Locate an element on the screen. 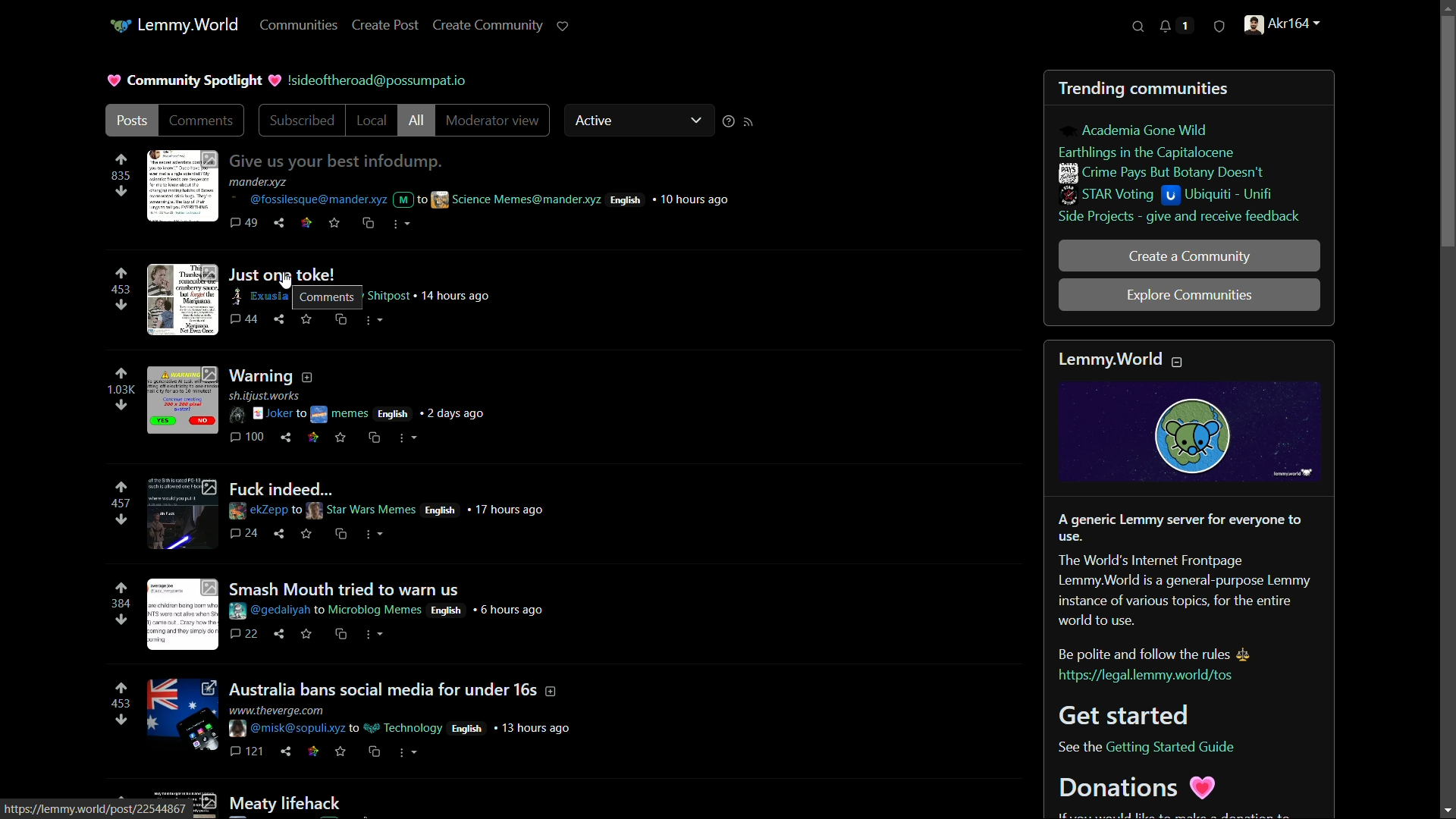 The image size is (1456, 819). share is located at coordinates (280, 535).